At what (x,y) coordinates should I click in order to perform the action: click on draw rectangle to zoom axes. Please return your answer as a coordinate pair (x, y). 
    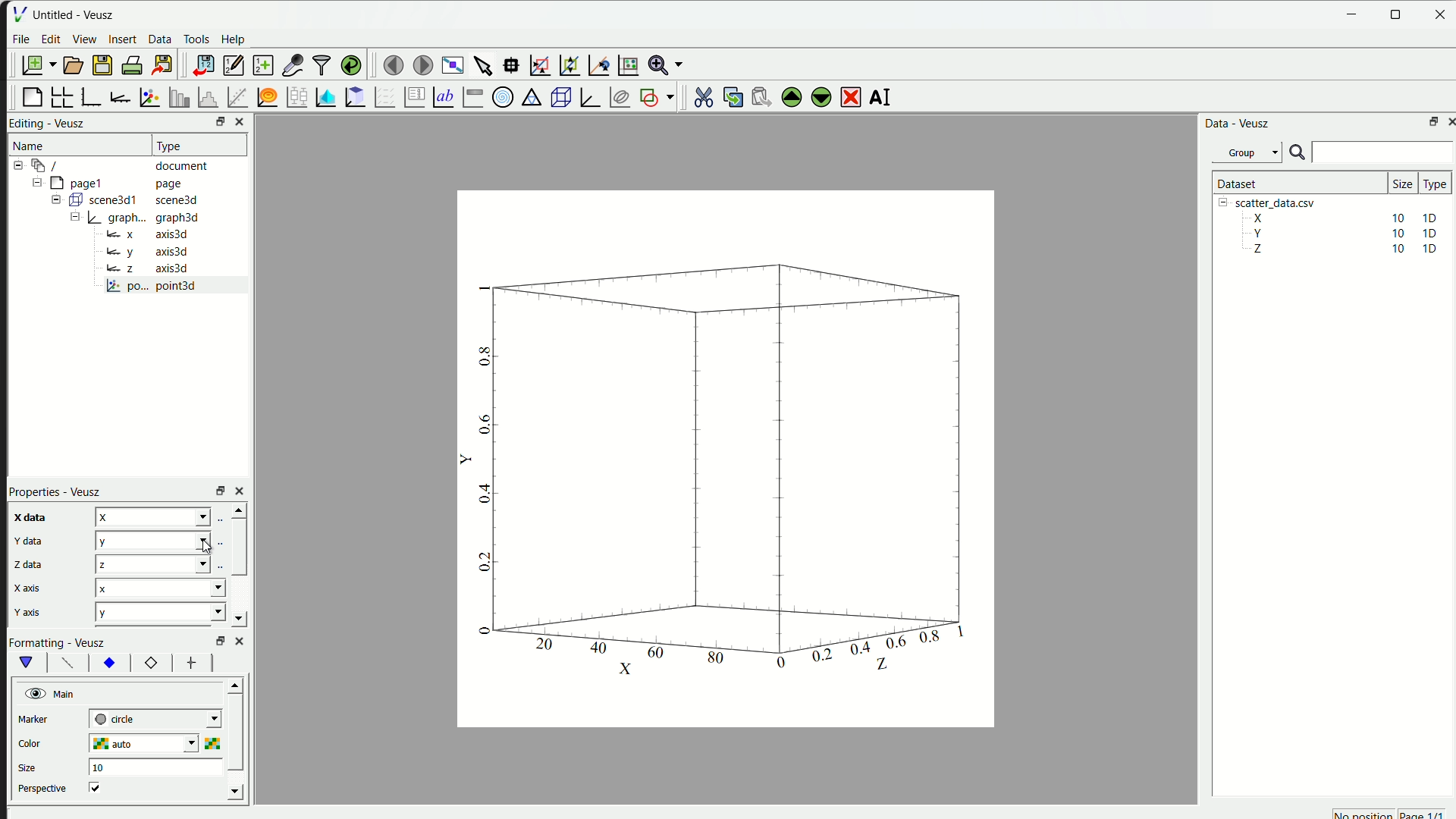
    Looking at the image, I should click on (540, 63).